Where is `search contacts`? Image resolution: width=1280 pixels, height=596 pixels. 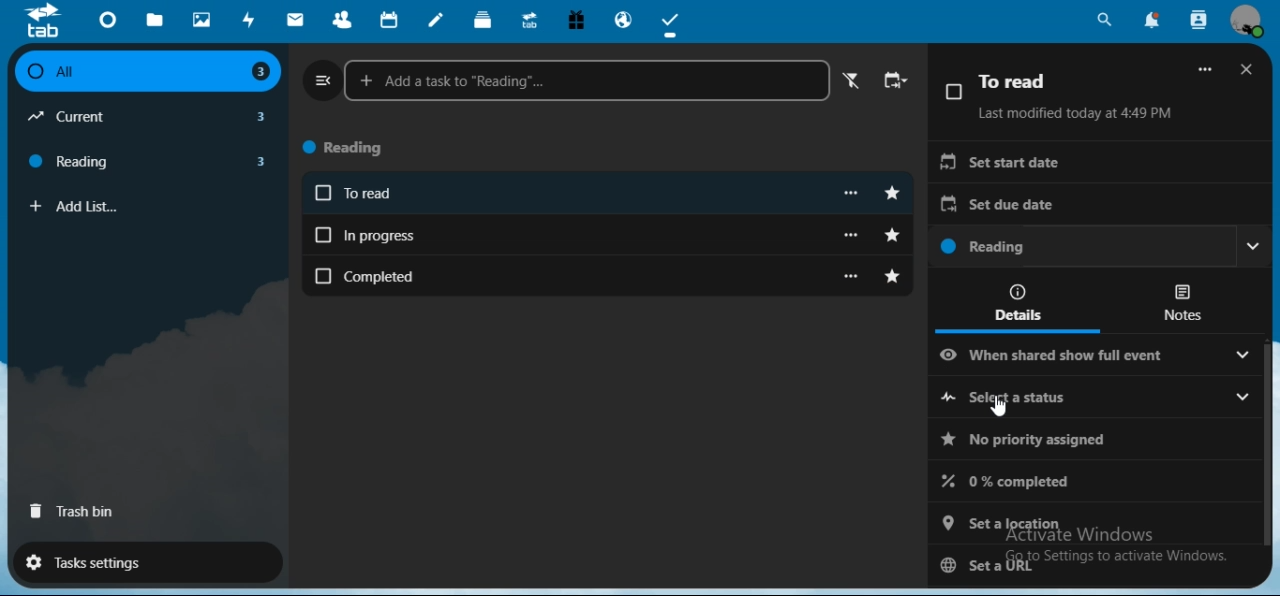 search contacts is located at coordinates (1200, 18).